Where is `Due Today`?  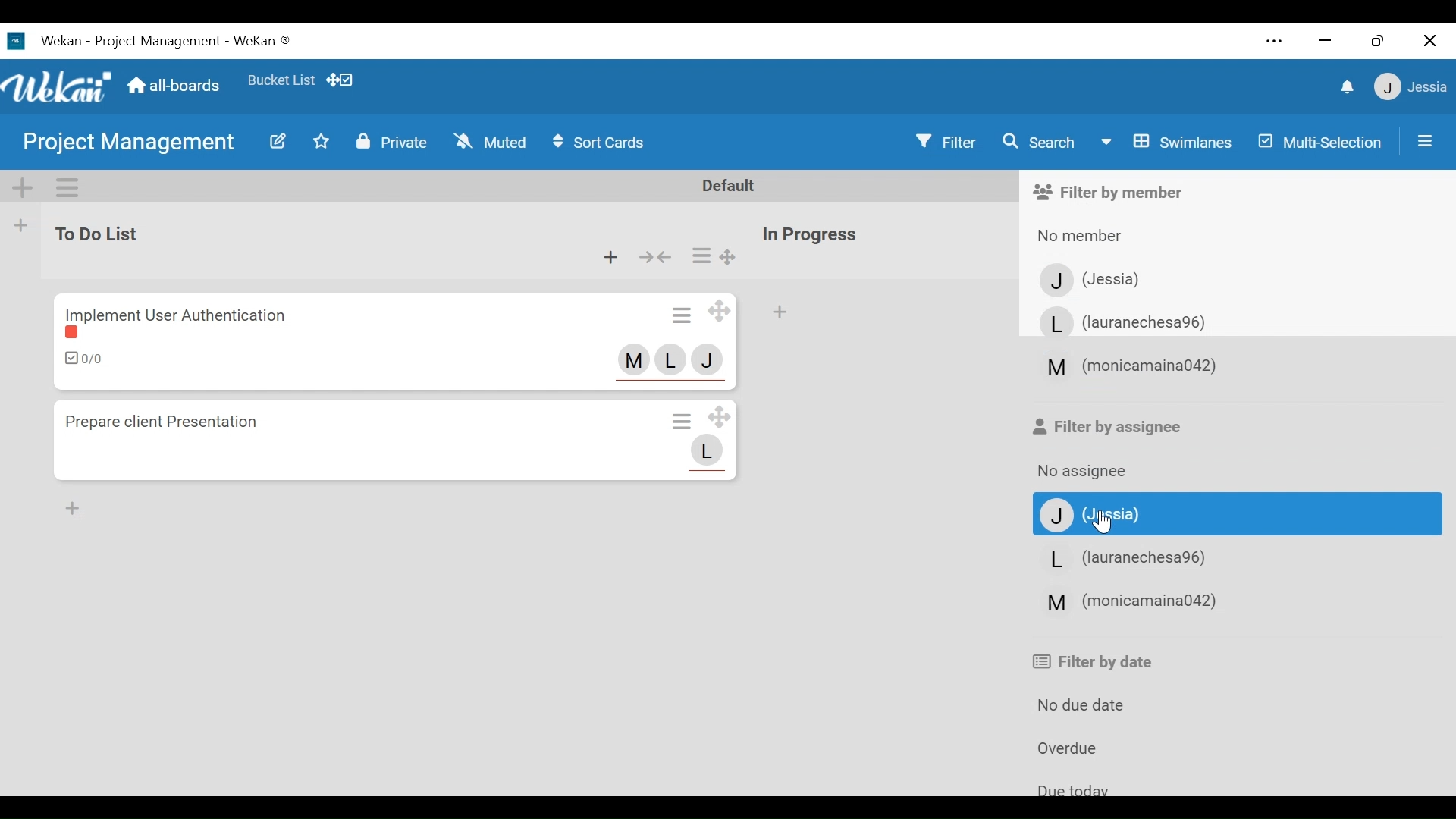 Due Today is located at coordinates (1082, 790).